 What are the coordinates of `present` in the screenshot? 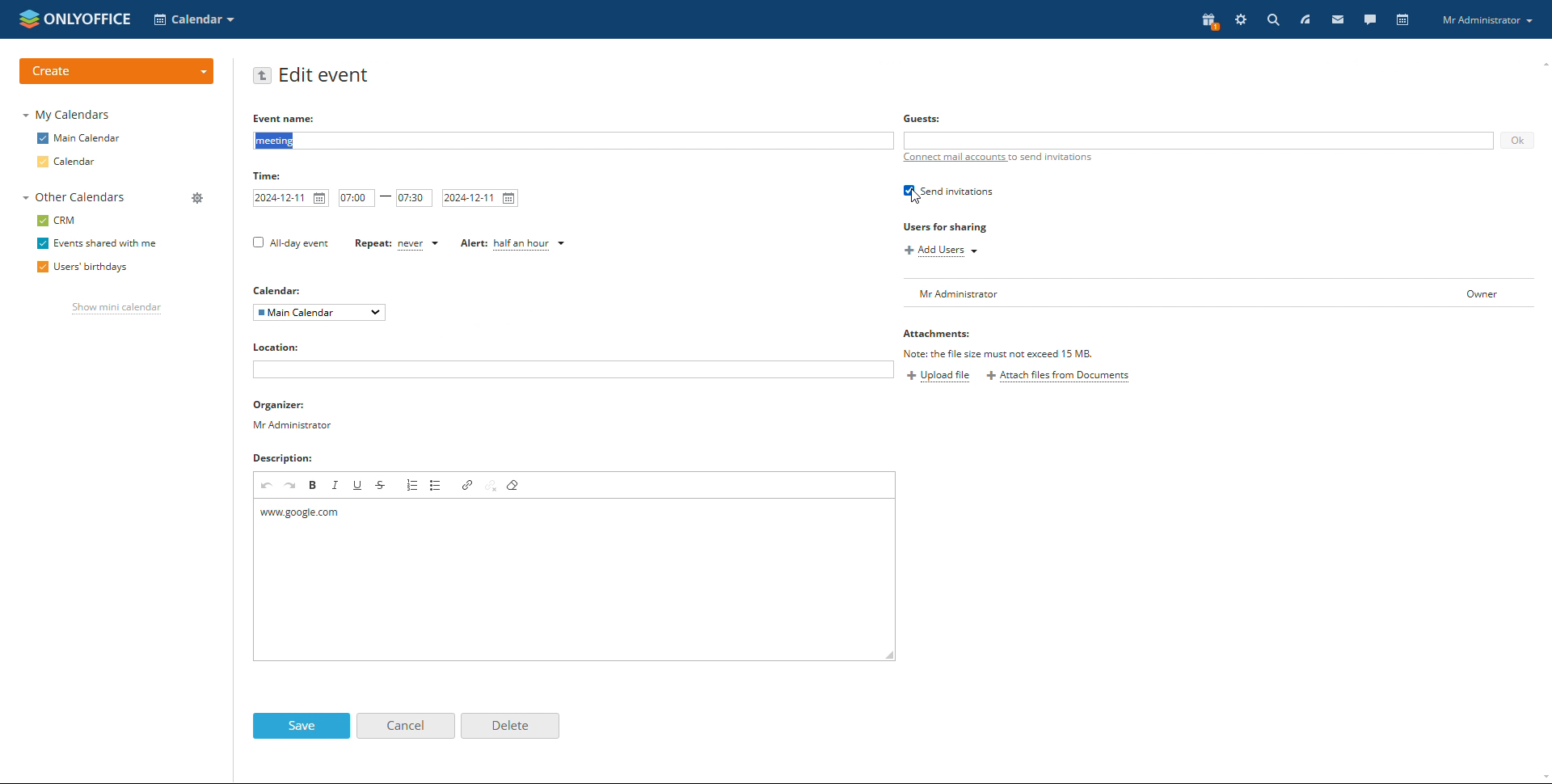 It's located at (1208, 22).